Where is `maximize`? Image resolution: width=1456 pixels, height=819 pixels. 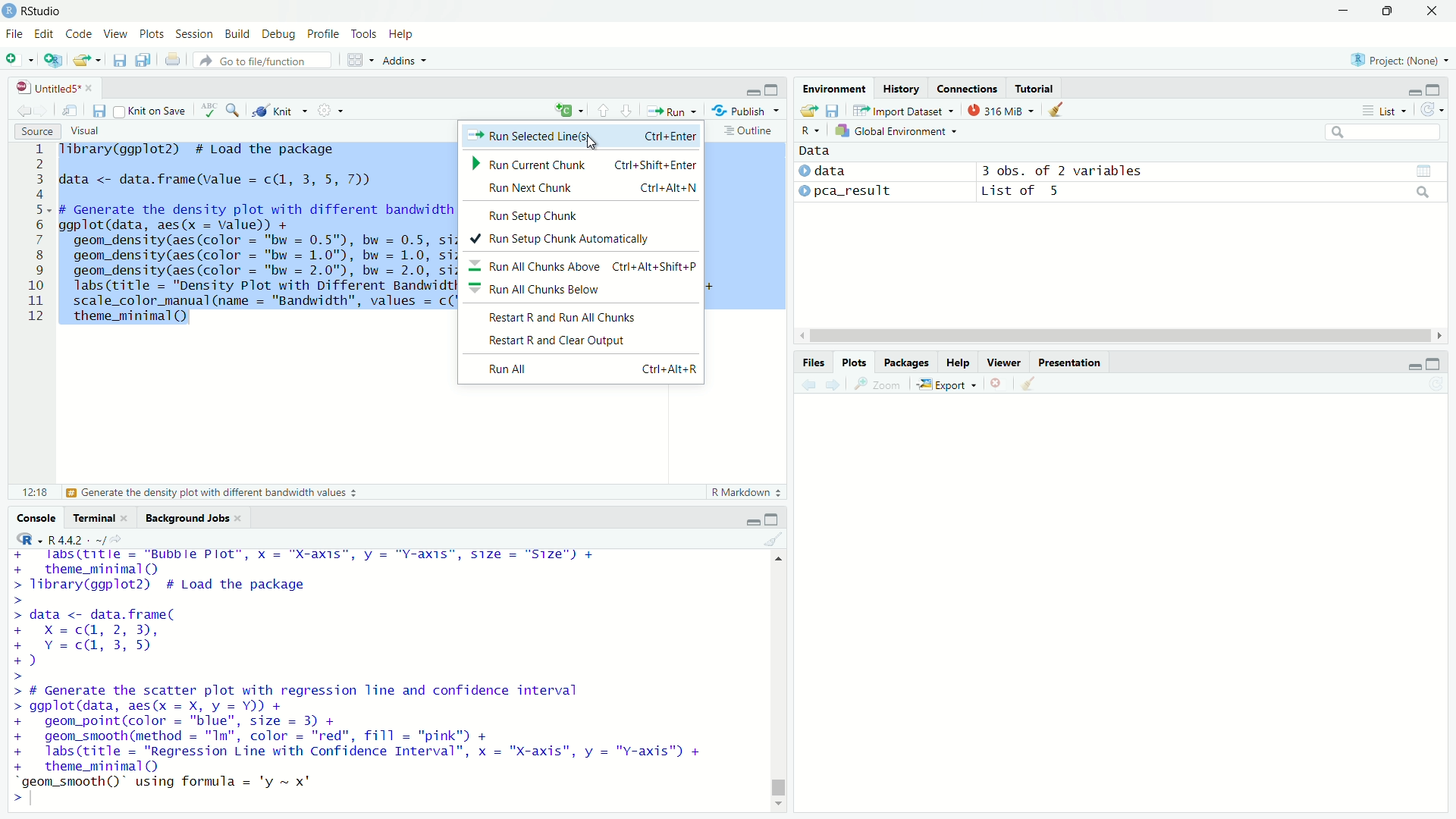
maximize is located at coordinates (770, 518).